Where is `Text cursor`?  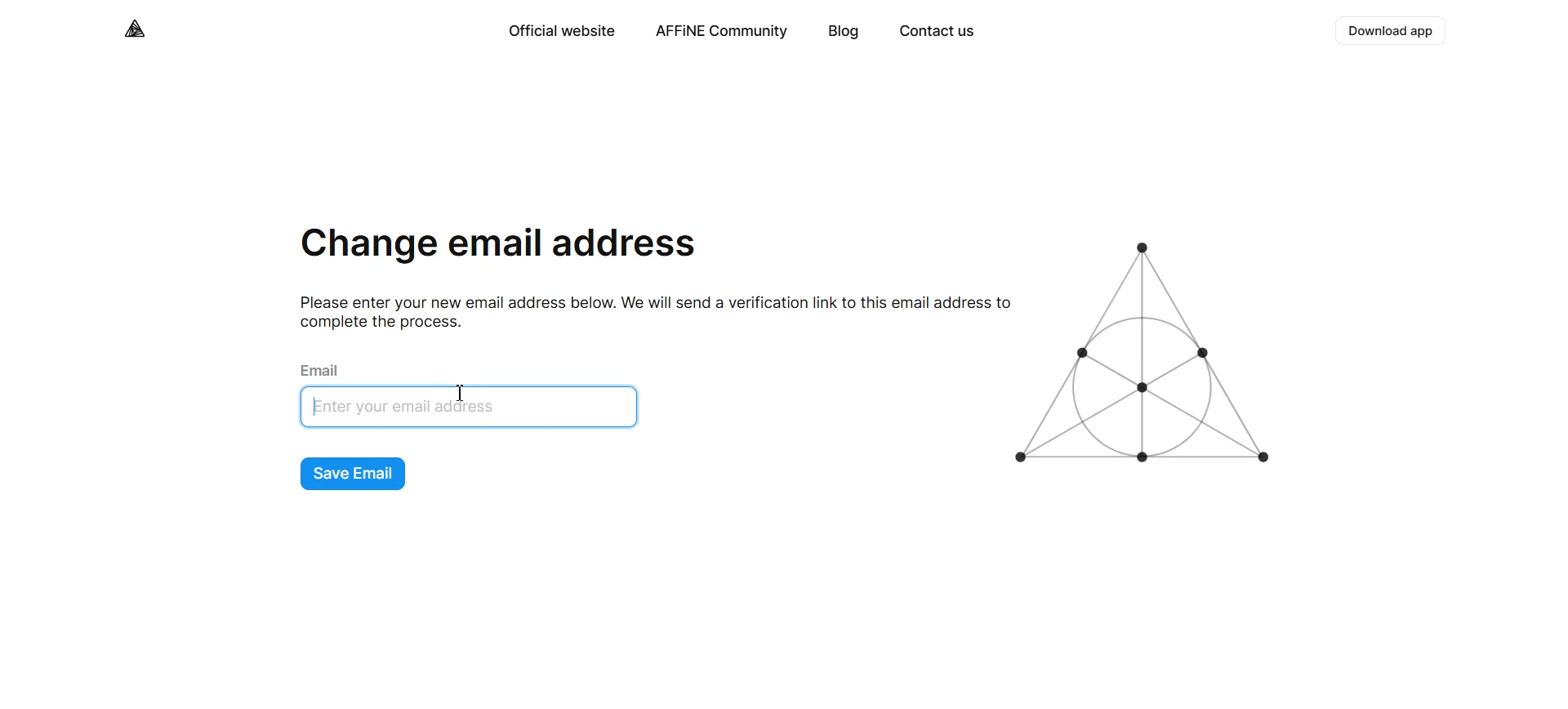
Text cursor is located at coordinates (462, 393).